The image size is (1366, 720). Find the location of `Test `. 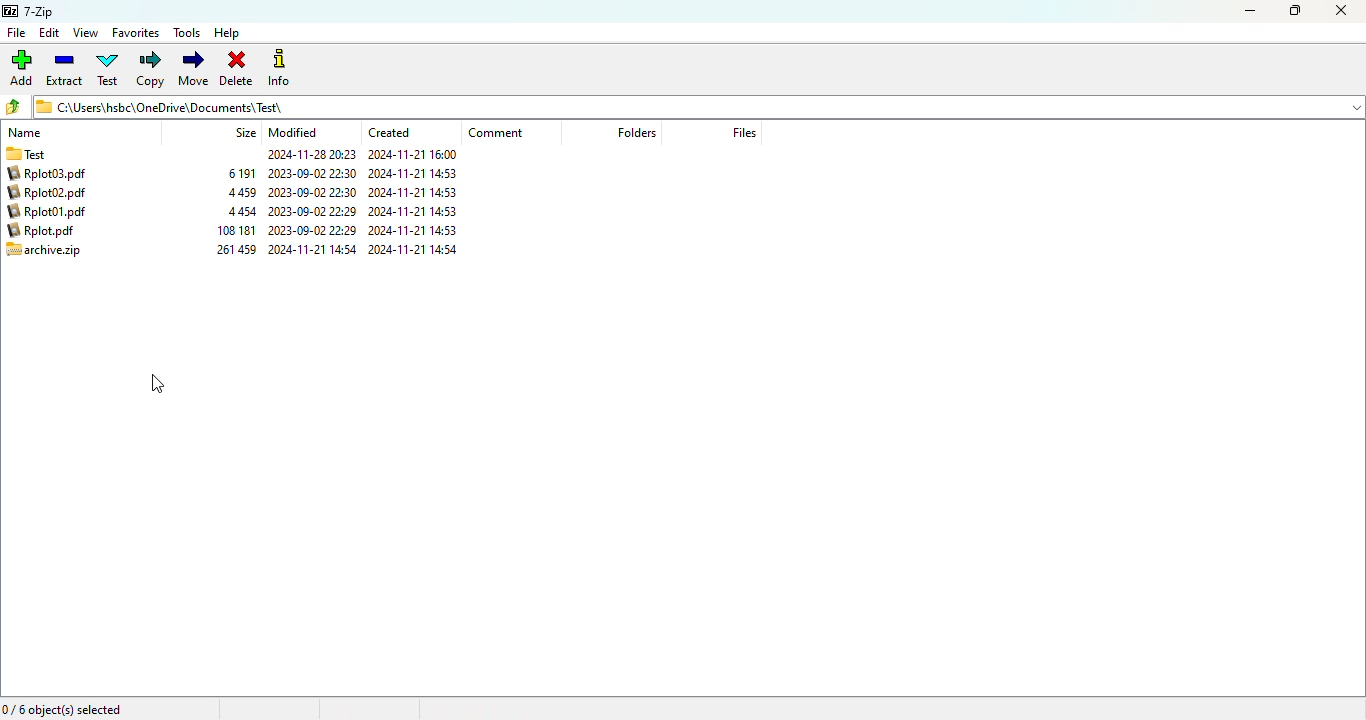

Test  is located at coordinates (59, 154).